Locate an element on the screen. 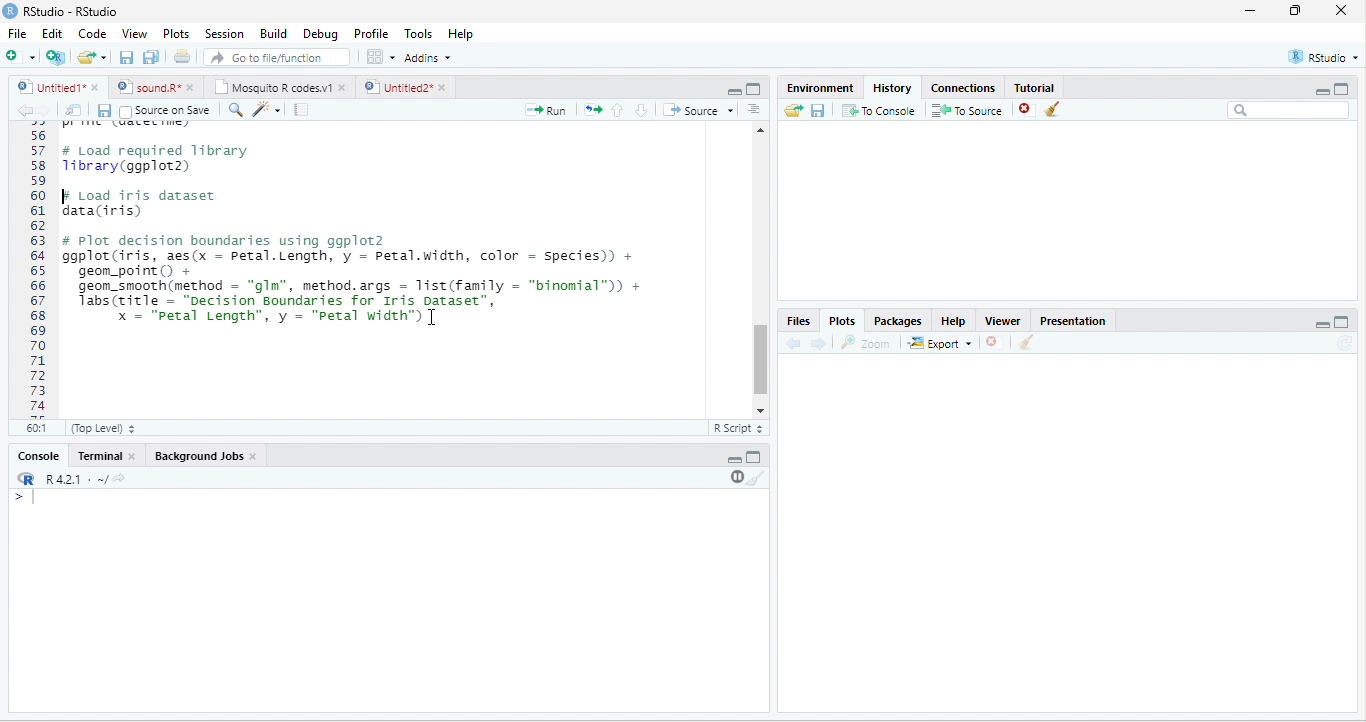 This screenshot has width=1366, height=722. save is located at coordinates (817, 111).